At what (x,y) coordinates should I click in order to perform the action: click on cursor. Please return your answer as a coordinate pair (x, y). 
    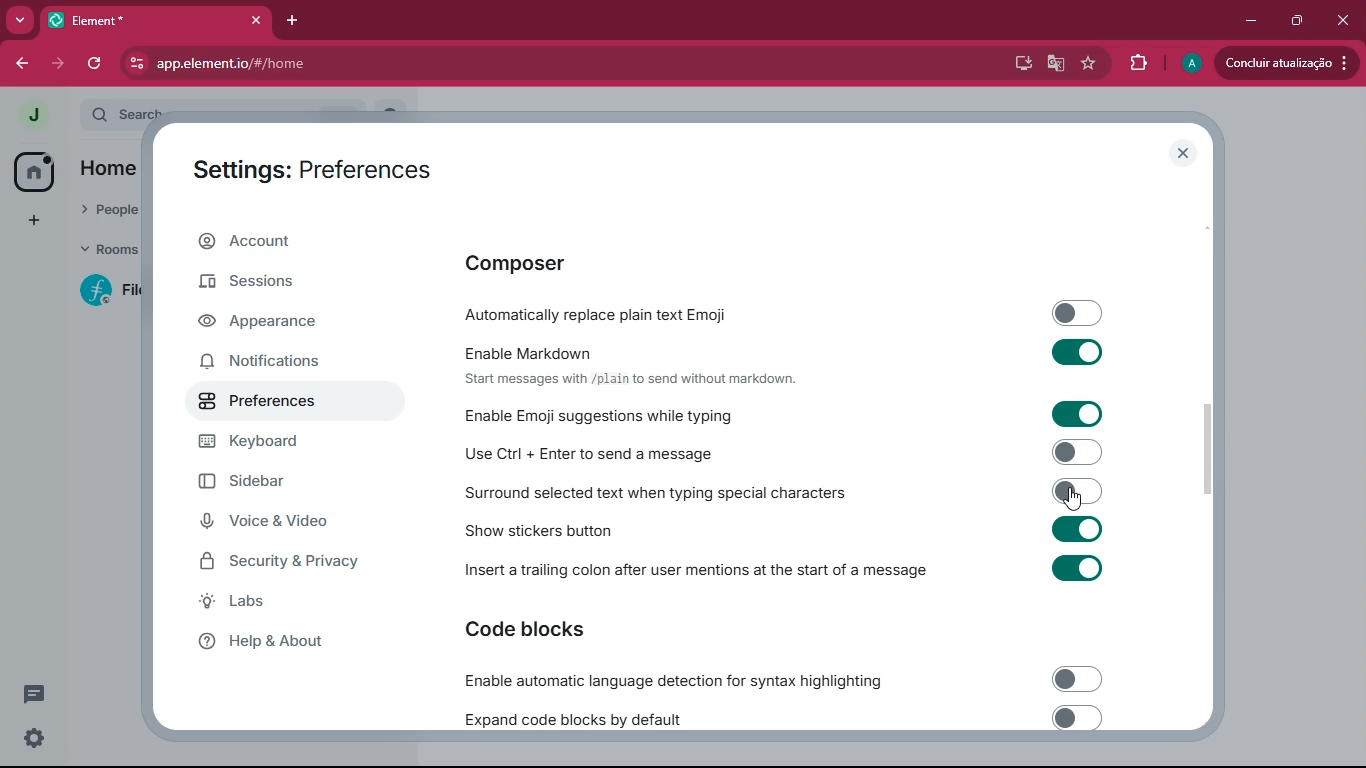
    Looking at the image, I should click on (1082, 499).